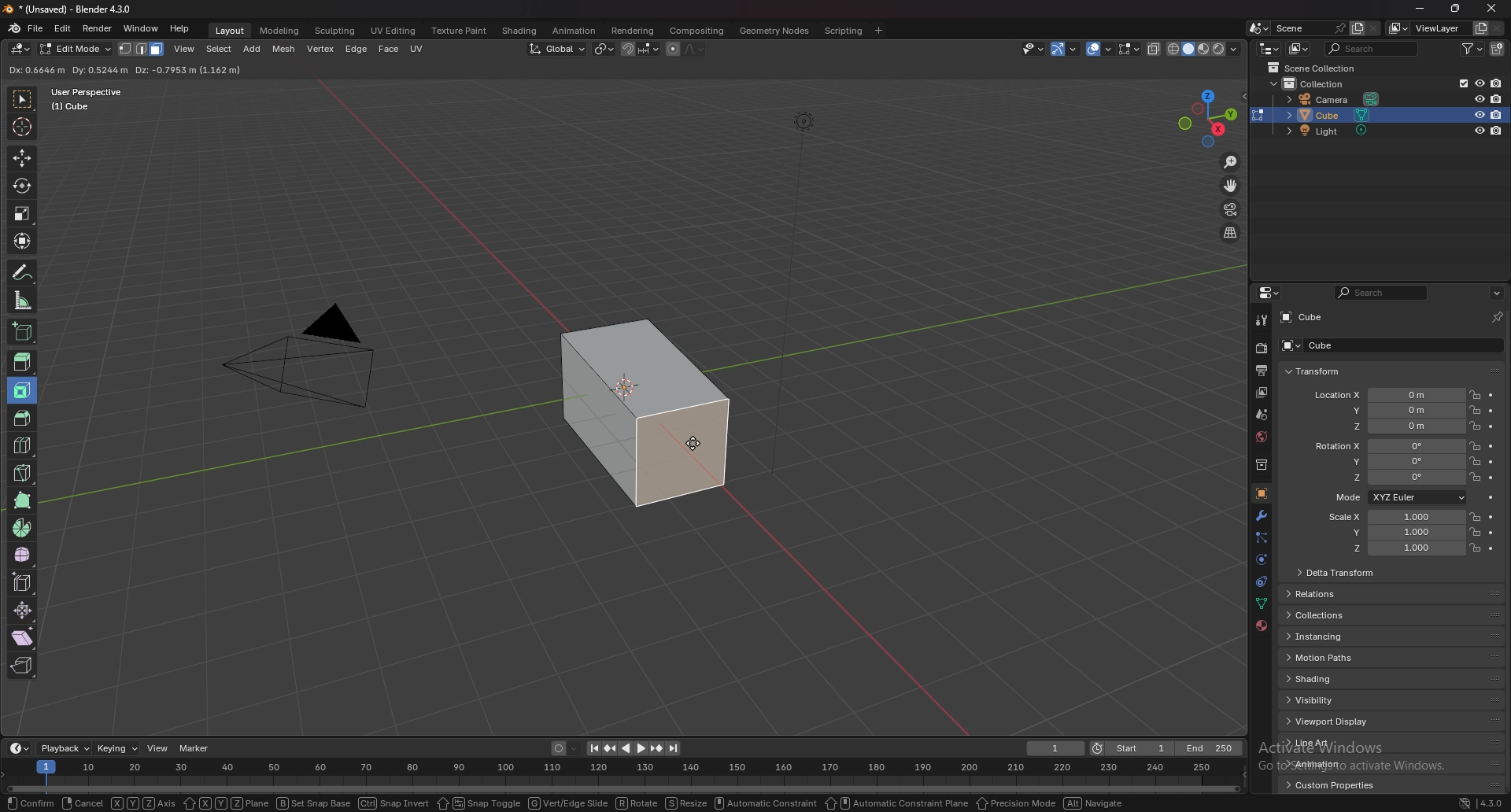 Image resolution: width=1511 pixels, height=812 pixels. What do you see at coordinates (637, 803) in the screenshot?
I see `rotate` at bounding box center [637, 803].